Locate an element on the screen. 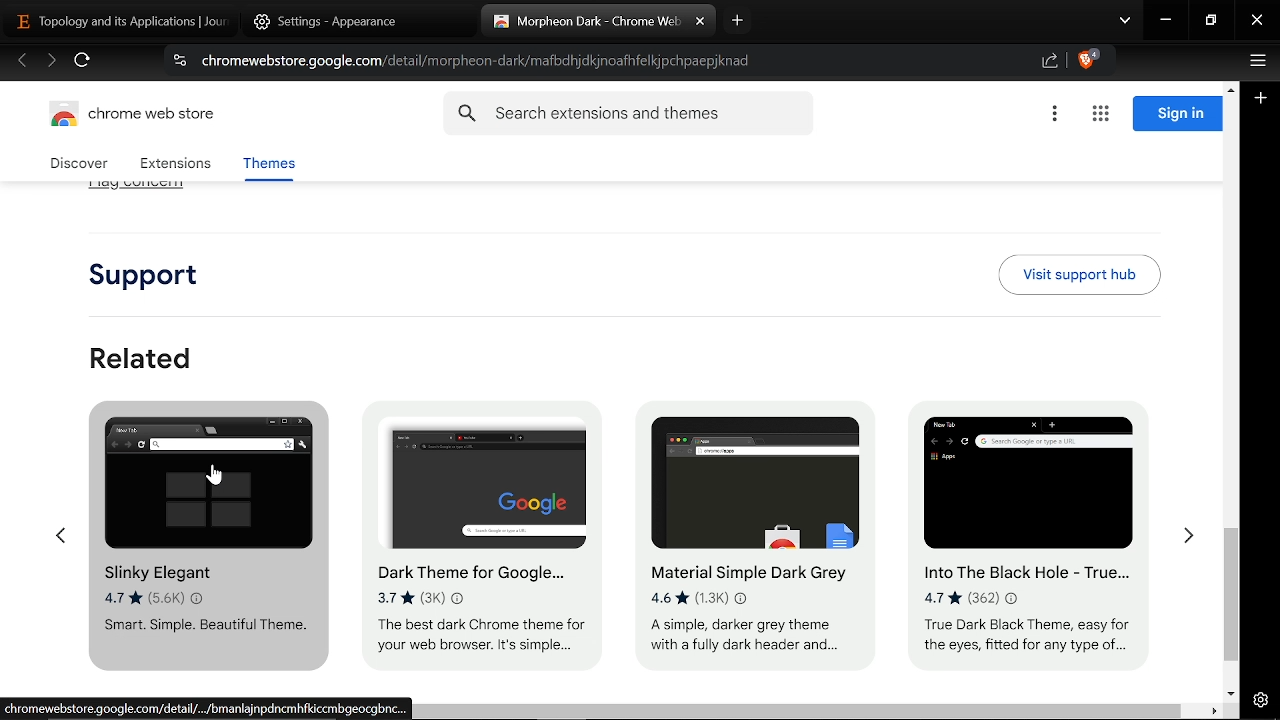 The width and height of the screenshot is (1280, 720). Extended URL is located at coordinates (210, 709).